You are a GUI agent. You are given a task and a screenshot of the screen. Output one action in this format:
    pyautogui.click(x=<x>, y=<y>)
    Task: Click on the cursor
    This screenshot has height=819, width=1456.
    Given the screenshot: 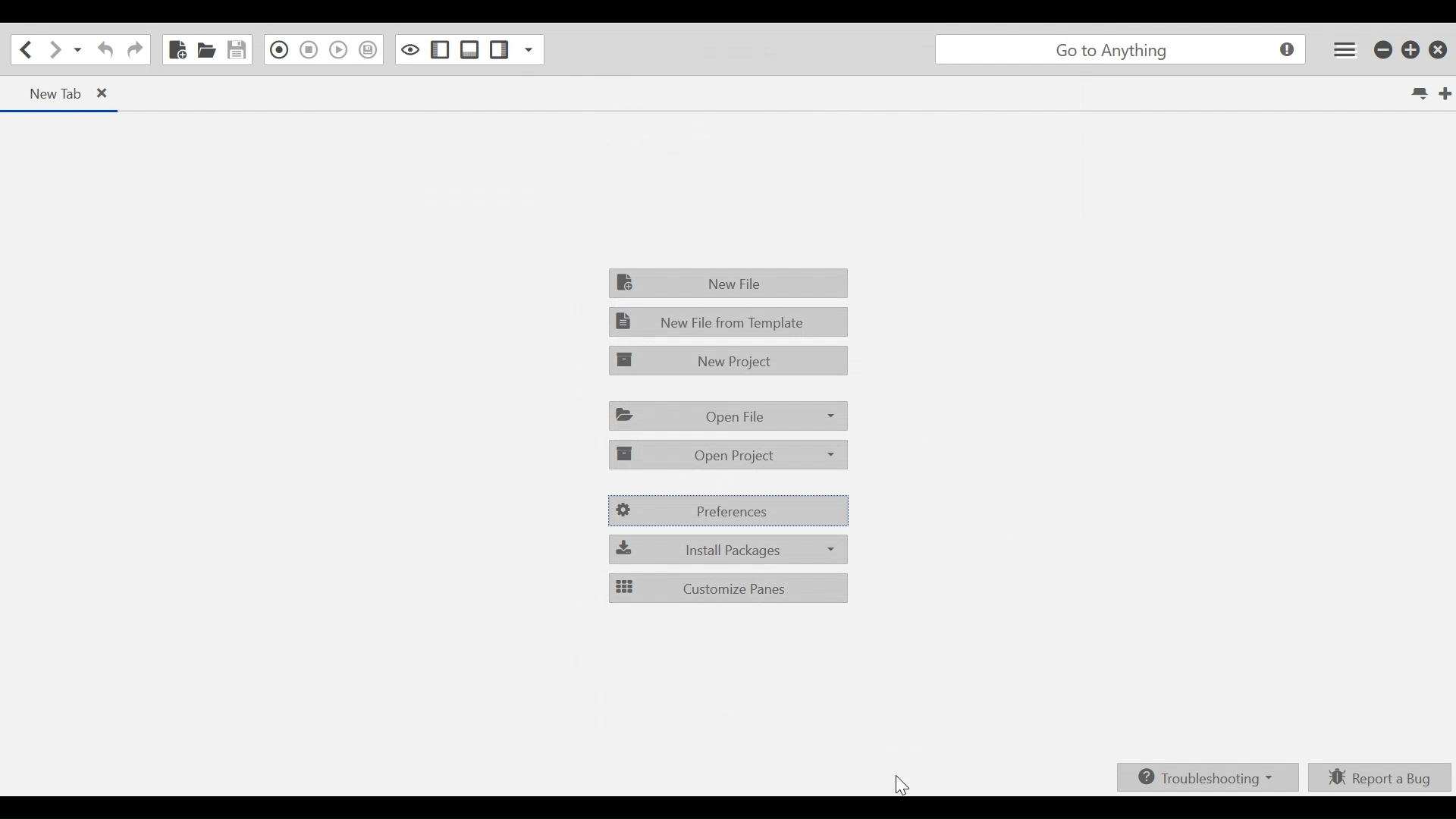 What is the action you would take?
    pyautogui.click(x=904, y=785)
    